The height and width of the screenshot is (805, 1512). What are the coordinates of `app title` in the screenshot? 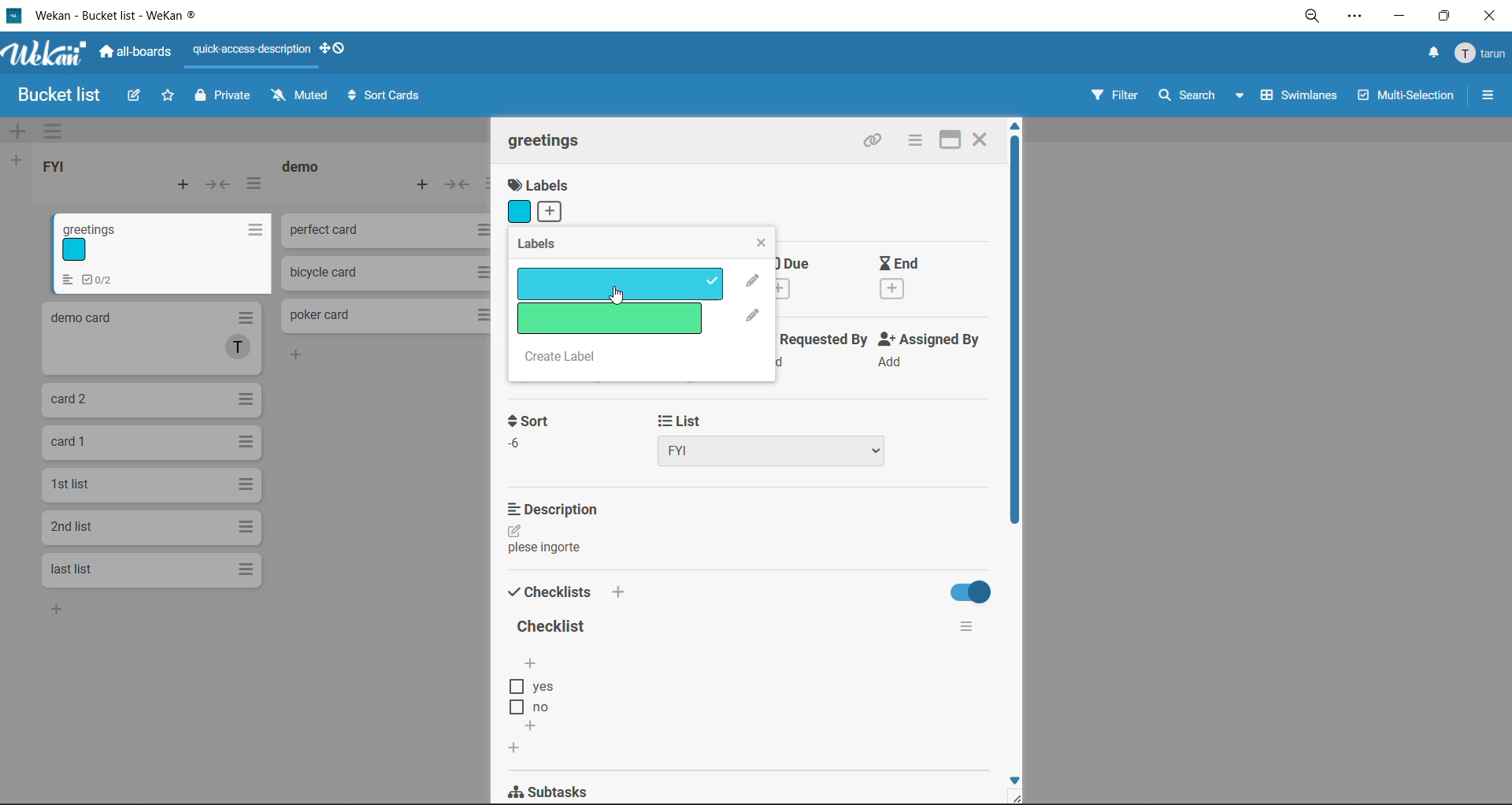 It's located at (109, 16).